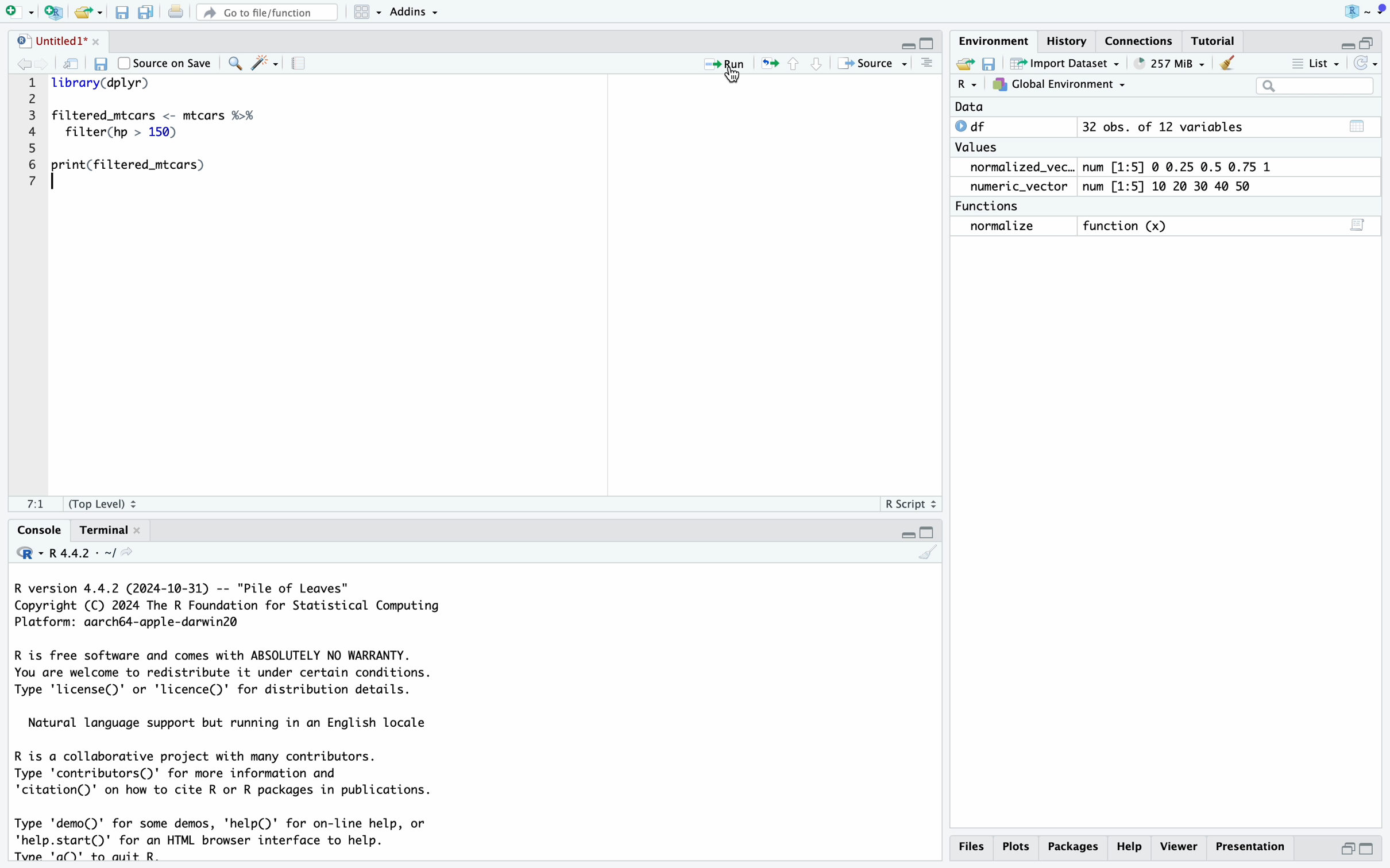 This screenshot has width=1390, height=868. Describe the element at coordinates (159, 130) in the screenshot. I see `library(dplyr) filtered_mtcars <- mtcars %>%filter(hp > 150)rint(filtered_mtcars)` at that location.